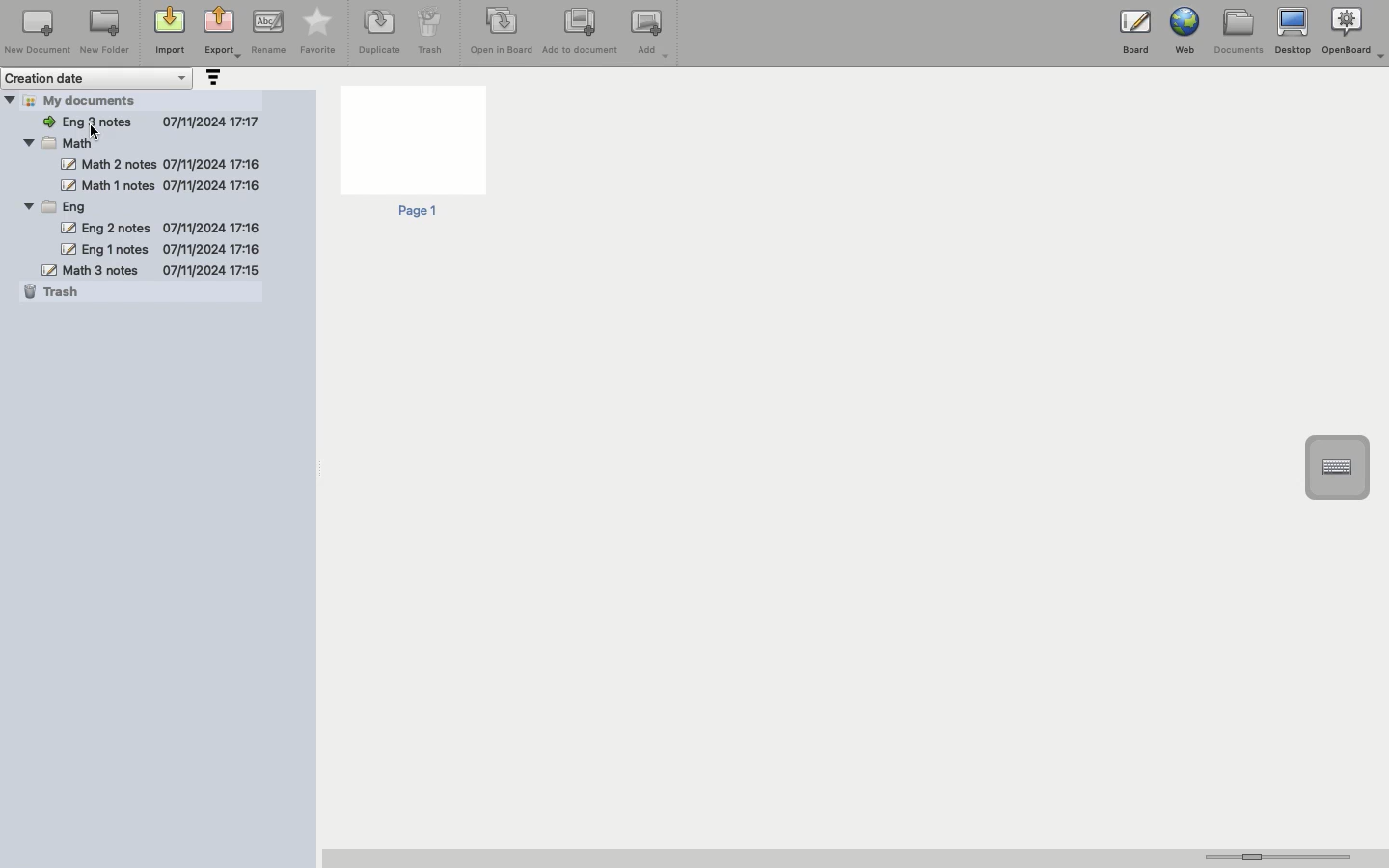 The height and width of the screenshot is (868, 1389). I want to click on Trash, so click(55, 292).